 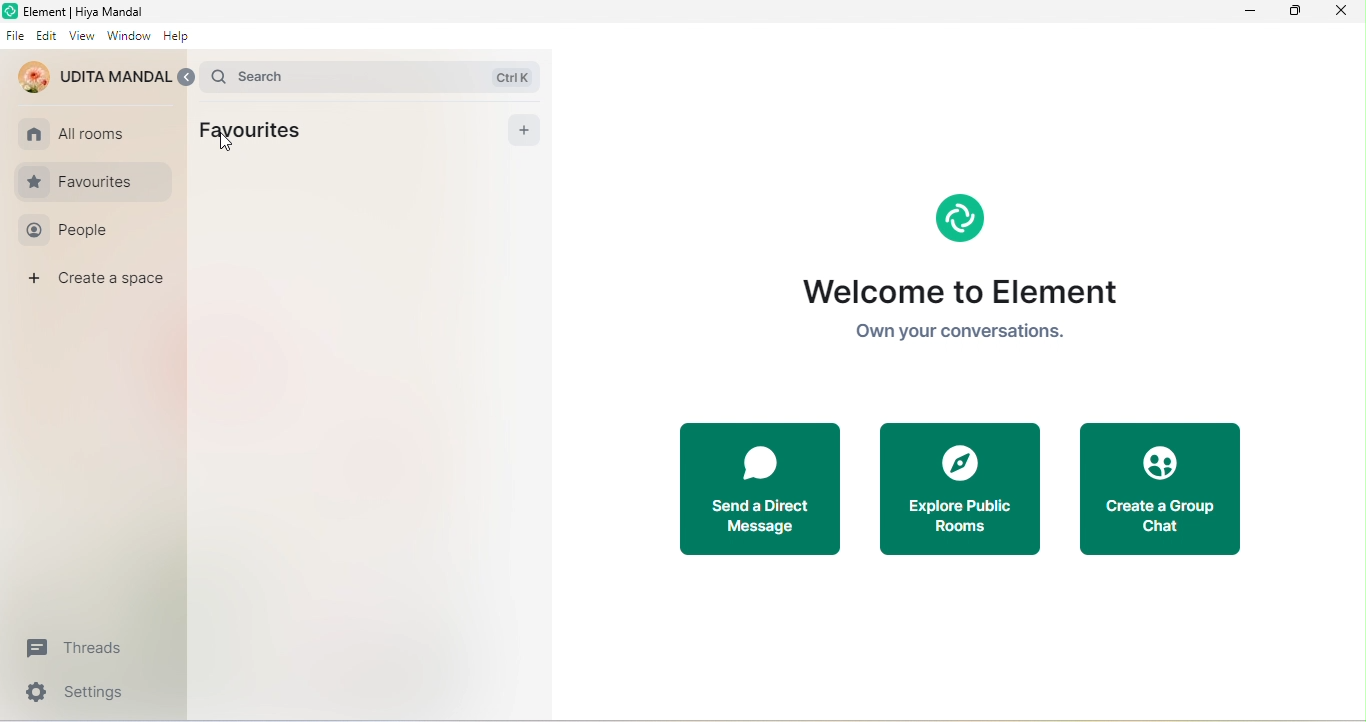 What do you see at coordinates (100, 282) in the screenshot?
I see `create a space` at bounding box center [100, 282].